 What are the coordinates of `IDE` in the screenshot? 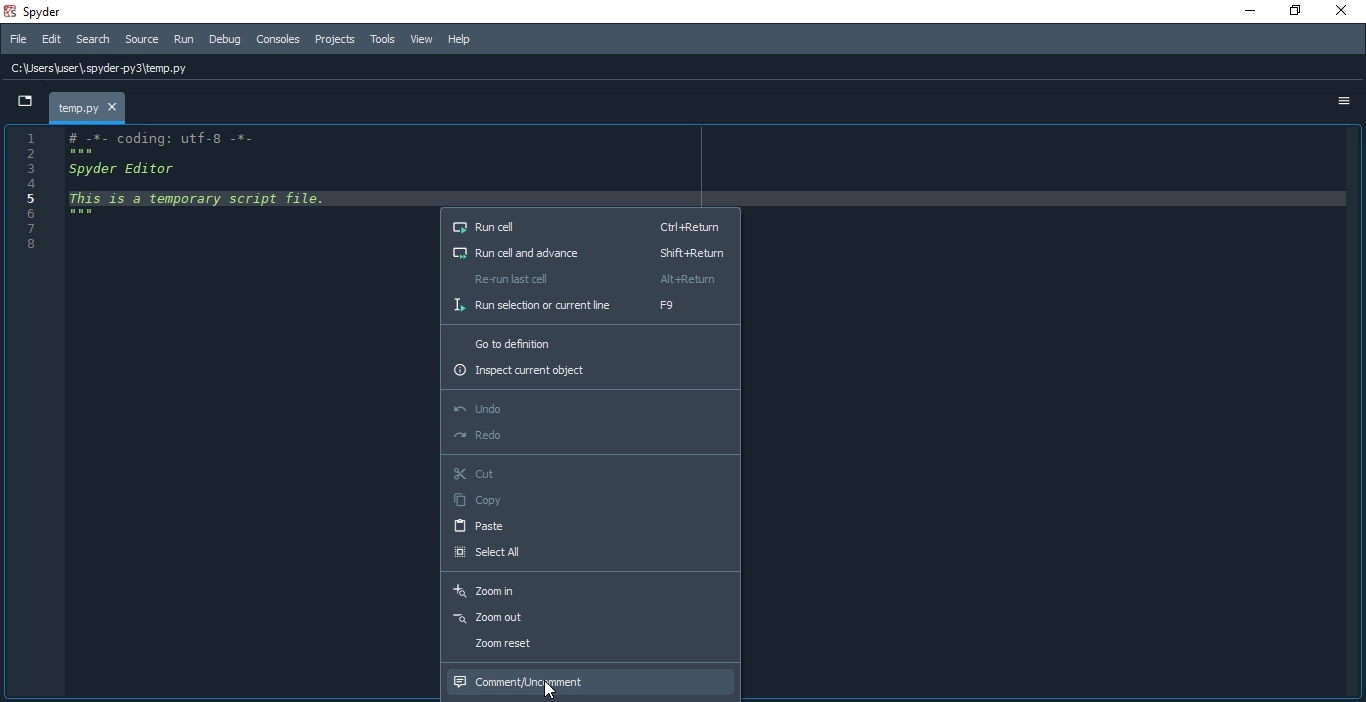 It's located at (236, 412).